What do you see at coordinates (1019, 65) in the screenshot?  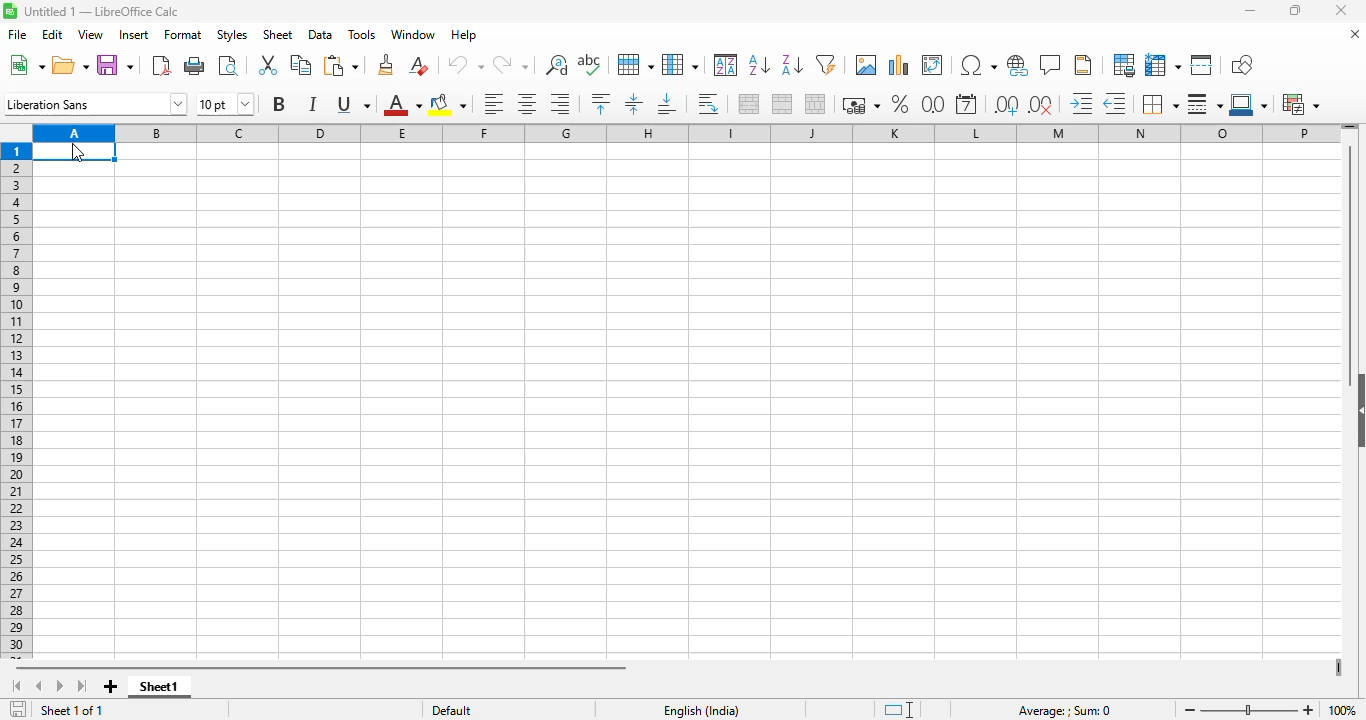 I see `insert hyperlink` at bounding box center [1019, 65].